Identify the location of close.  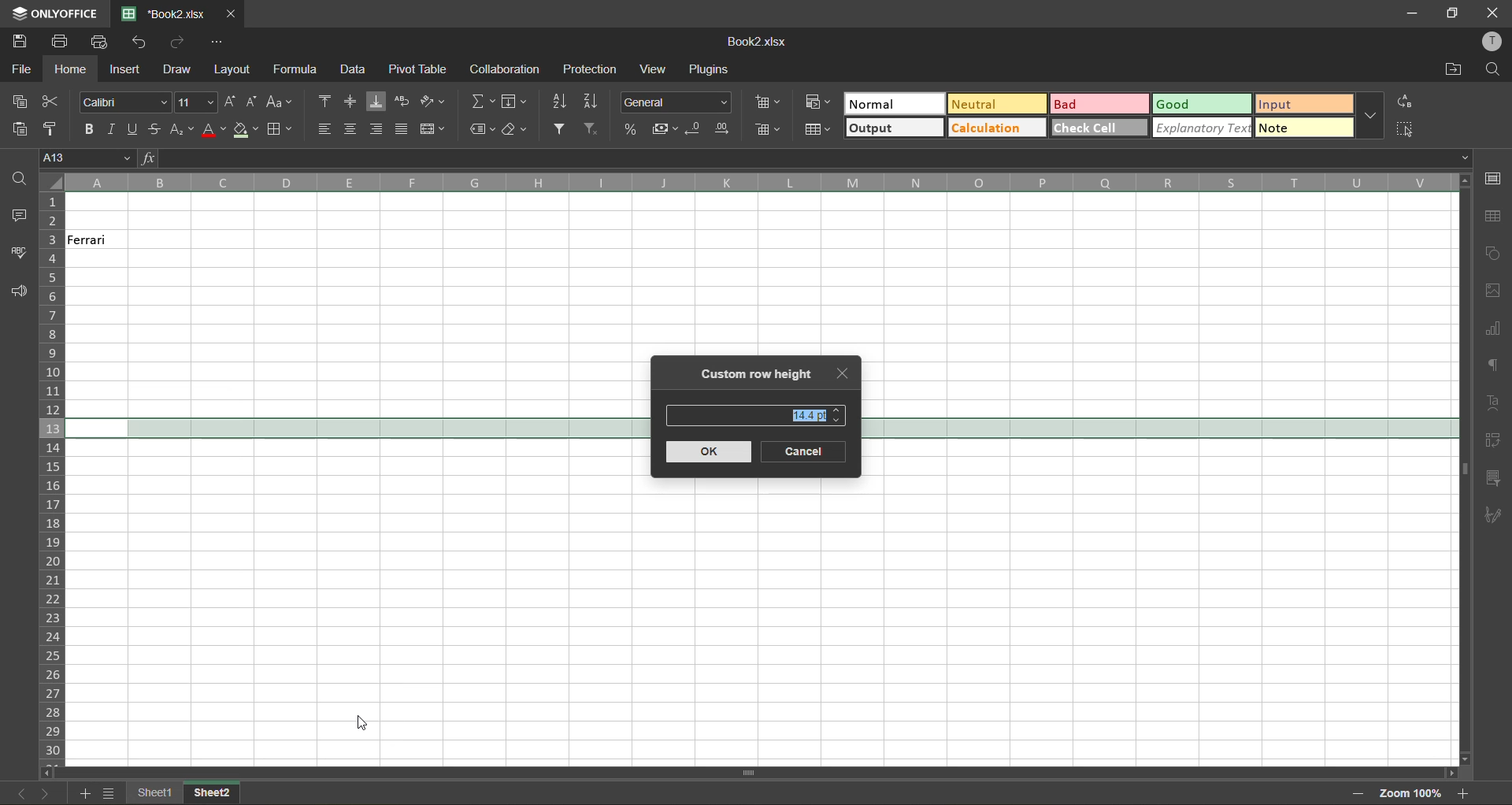
(1494, 11).